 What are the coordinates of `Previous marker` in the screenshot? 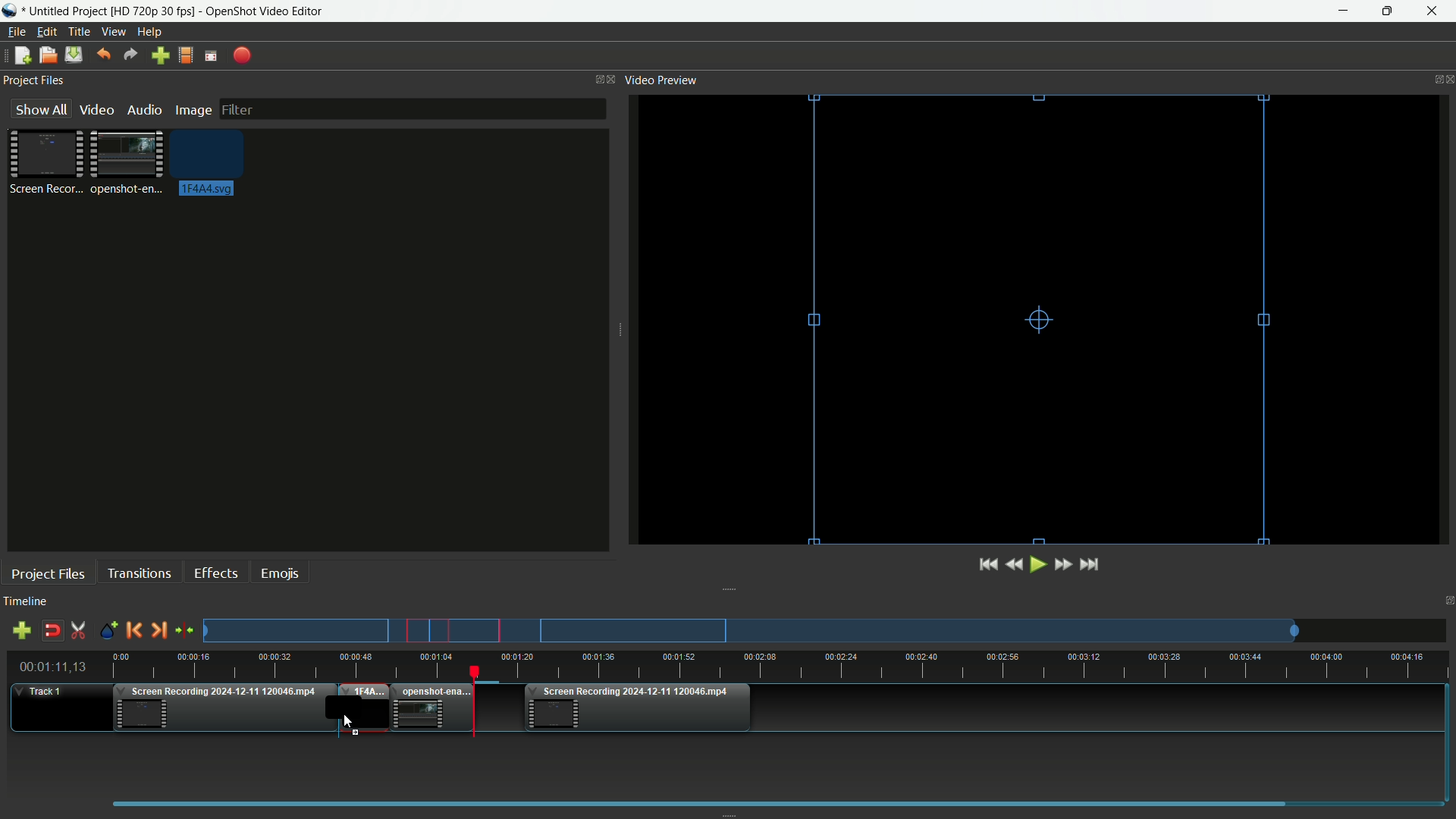 It's located at (133, 630).